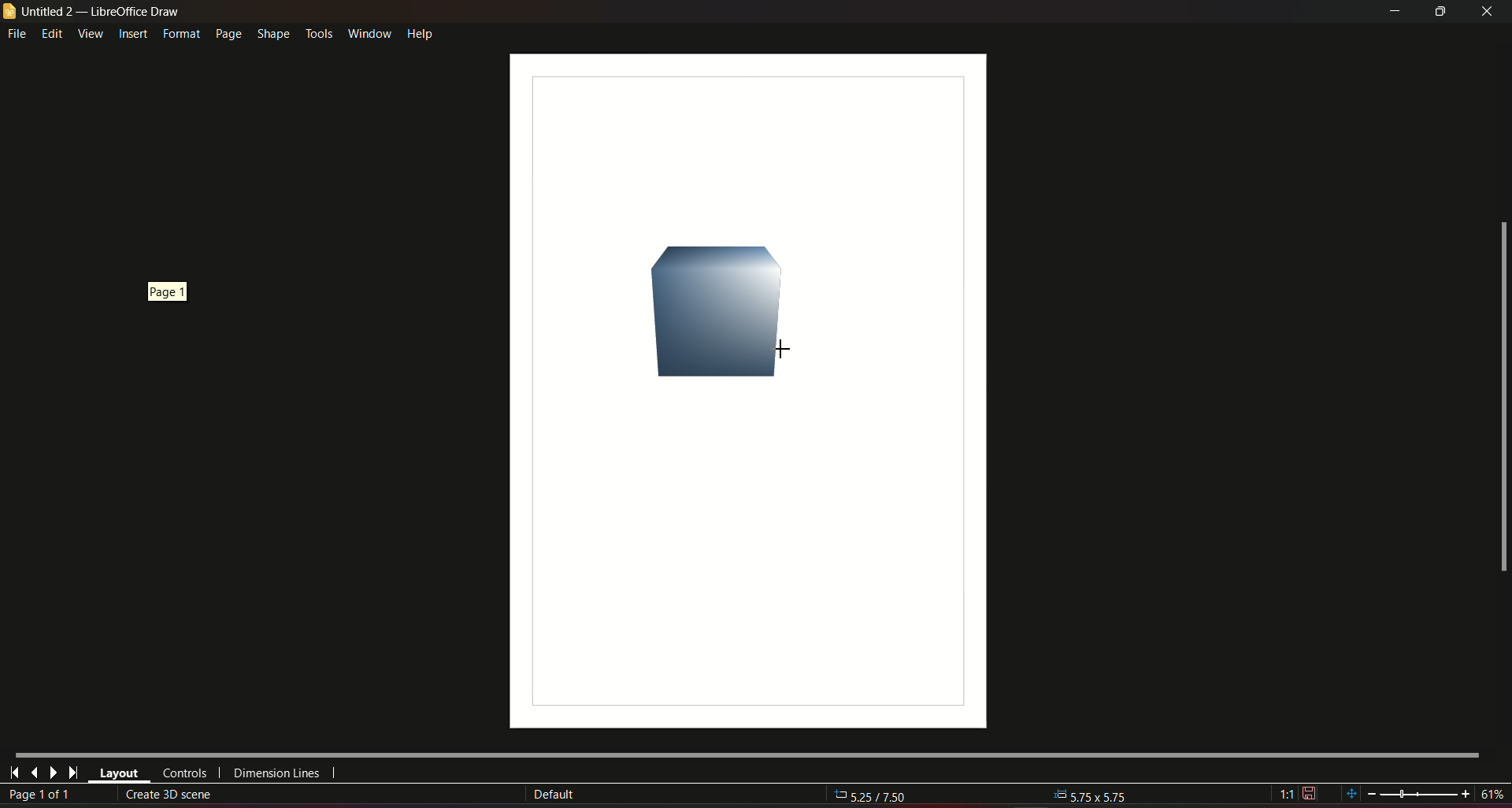  I want to click on last page, so click(34, 772).